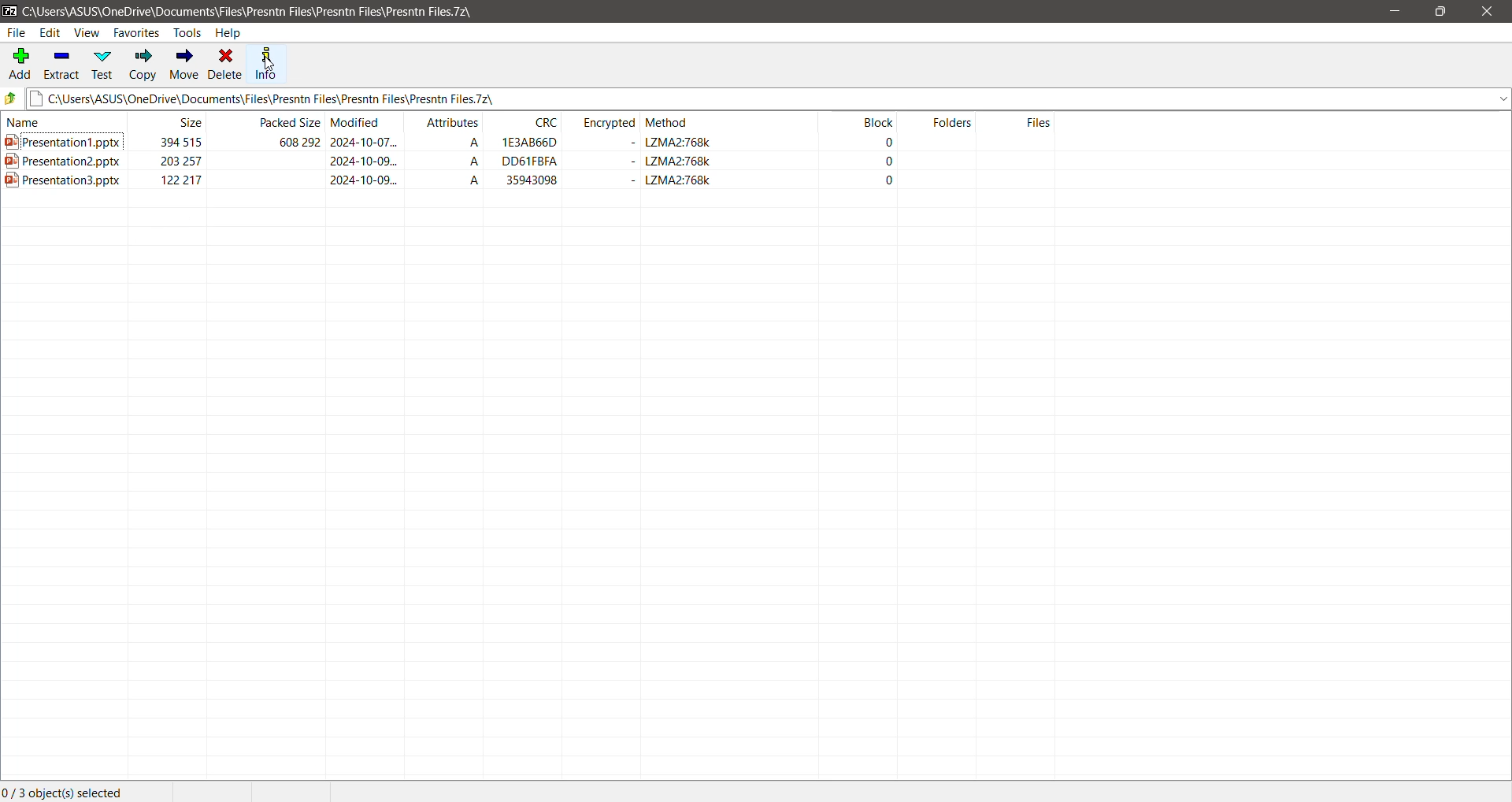  What do you see at coordinates (17, 34) in the screenshot?
I see `File` at bounding box center [17, 34].